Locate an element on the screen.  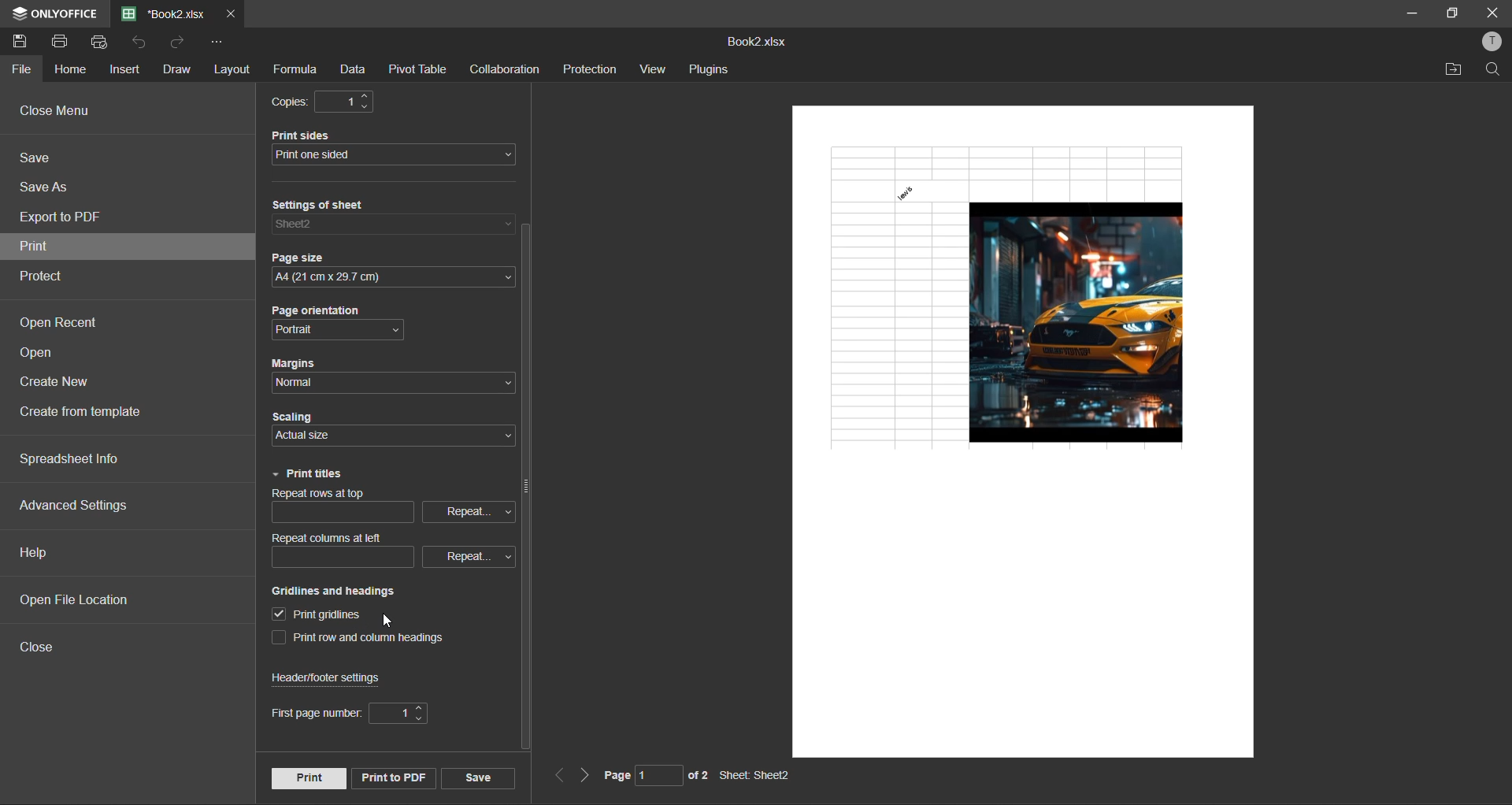
vertical scroll bar is located at coordinates (526, 487).